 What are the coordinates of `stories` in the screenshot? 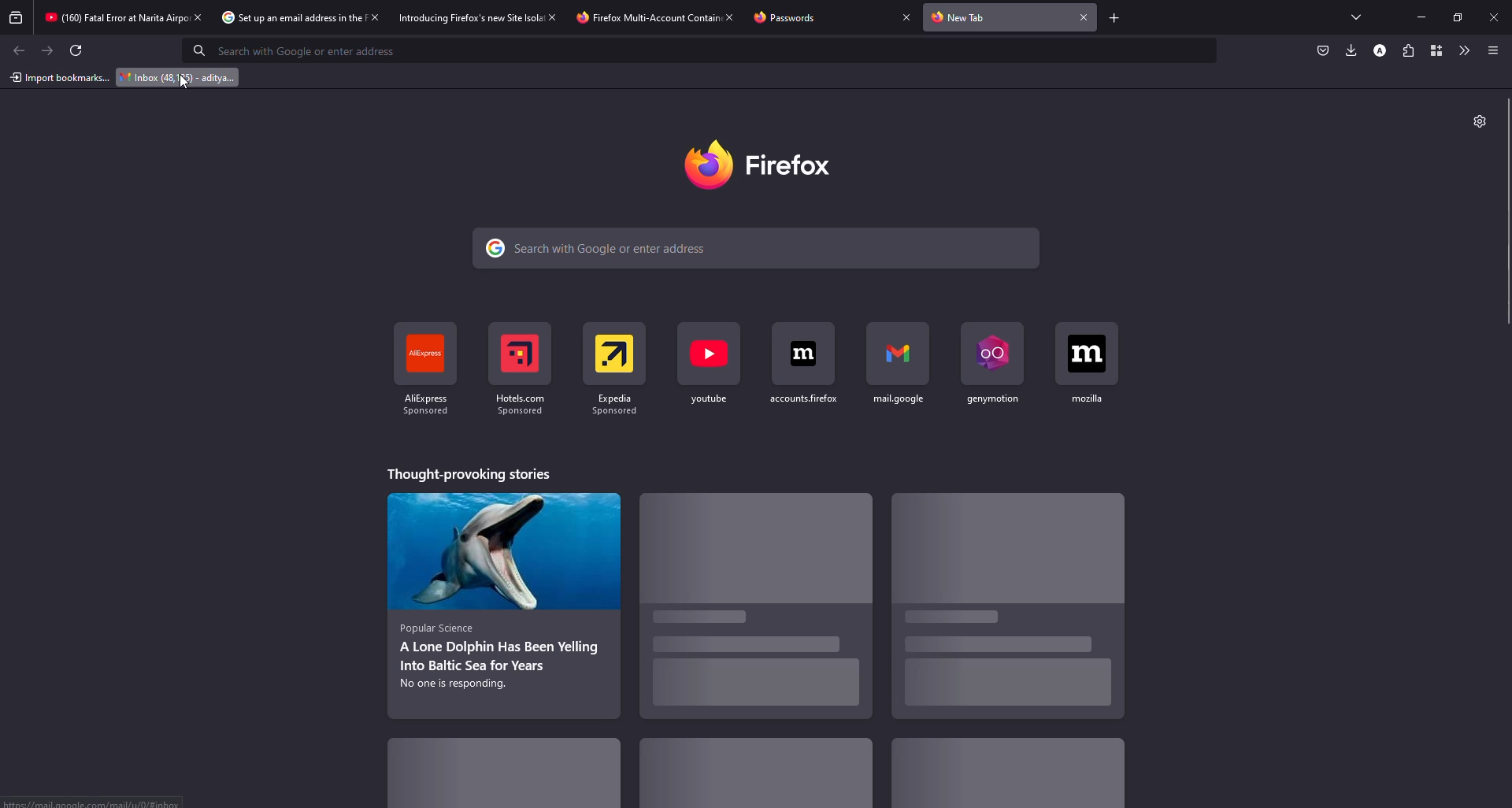 It's located at (499, 658).